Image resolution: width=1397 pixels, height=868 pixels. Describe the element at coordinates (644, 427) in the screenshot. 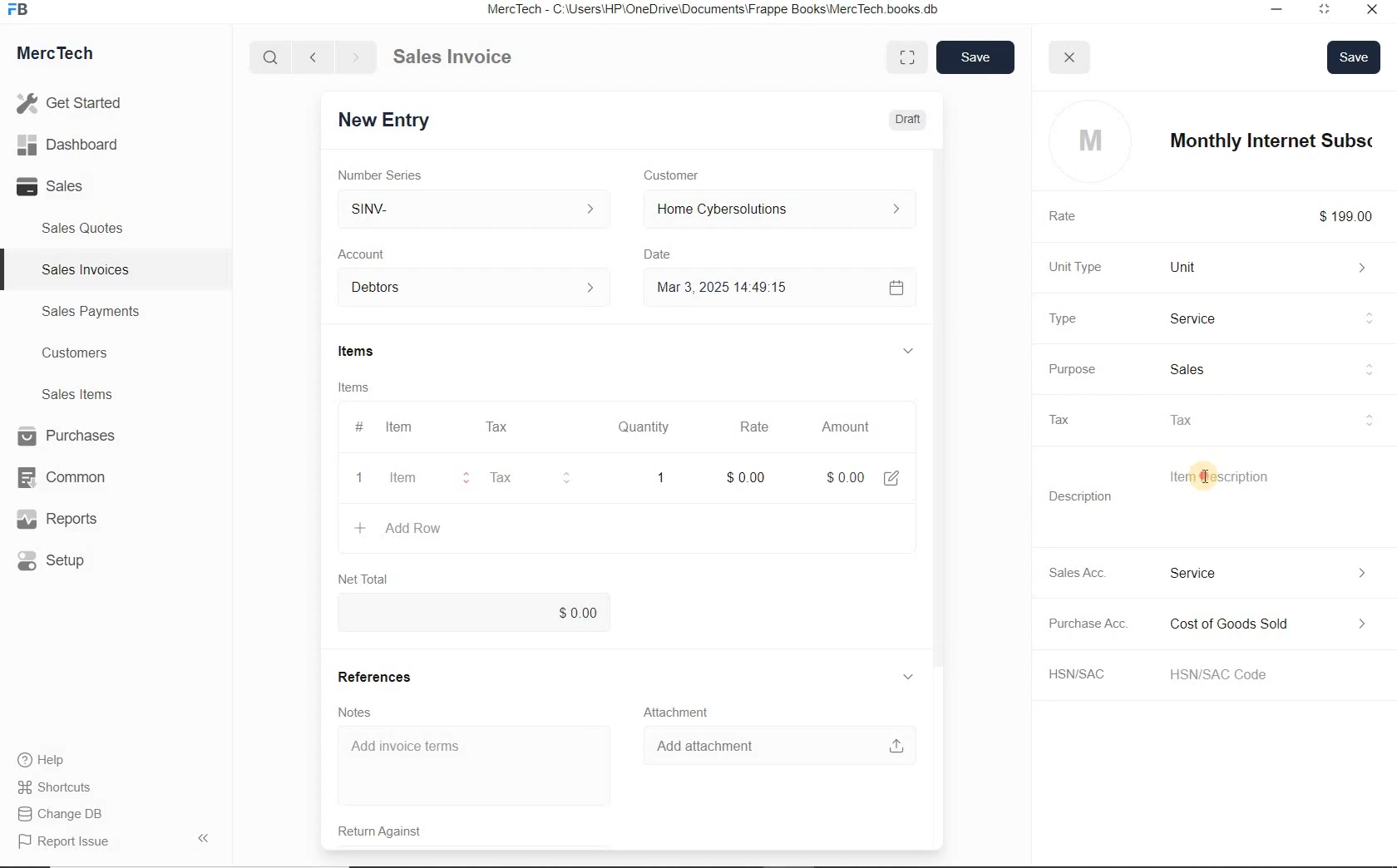

I see `Quantity` at that location.